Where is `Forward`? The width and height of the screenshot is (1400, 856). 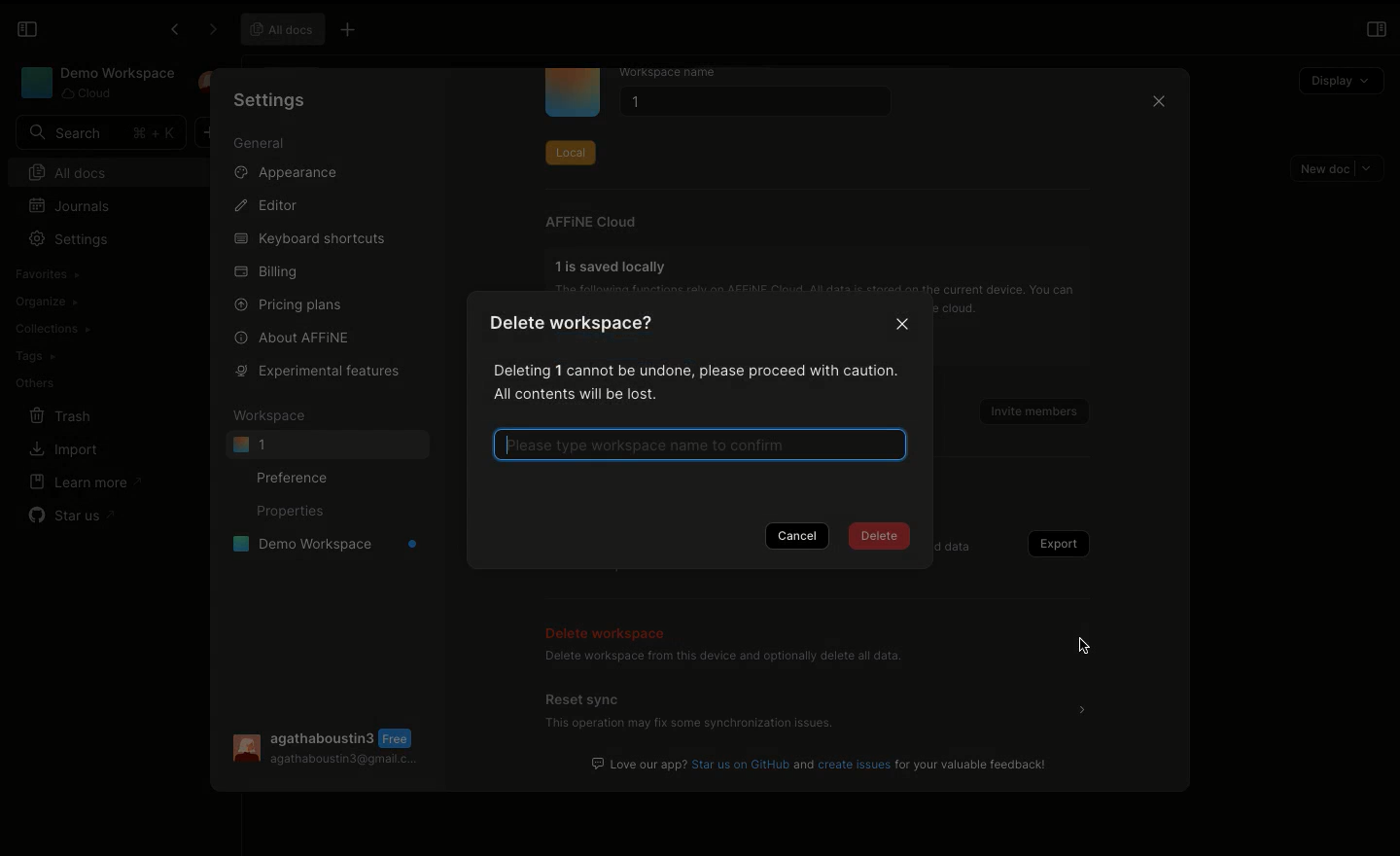
Forward is located at coordinates (209, 30).